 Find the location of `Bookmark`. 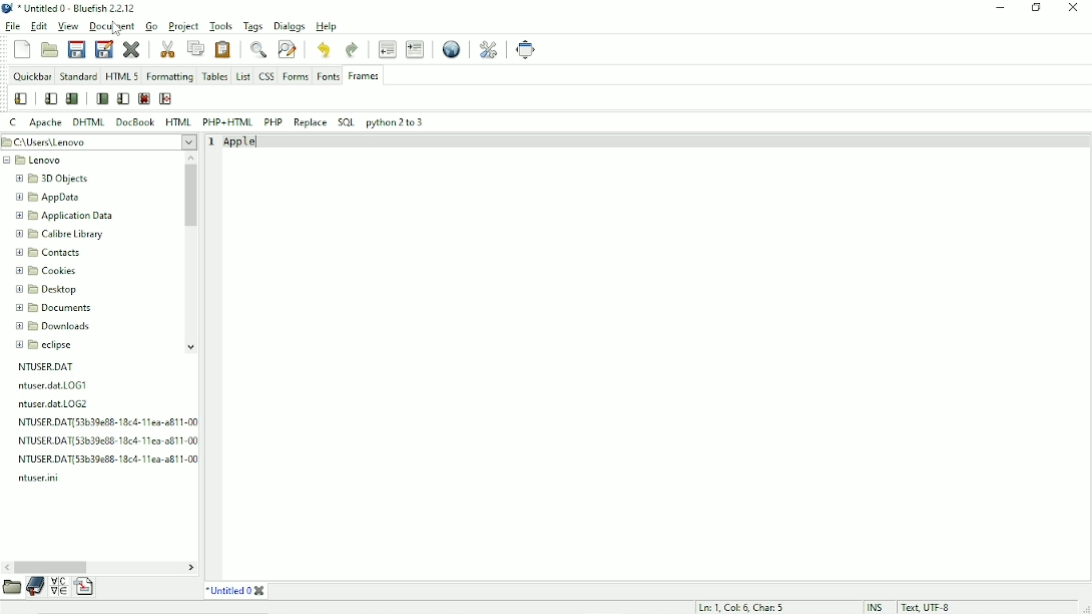

Bookmark is located at coordinates (34, 588).